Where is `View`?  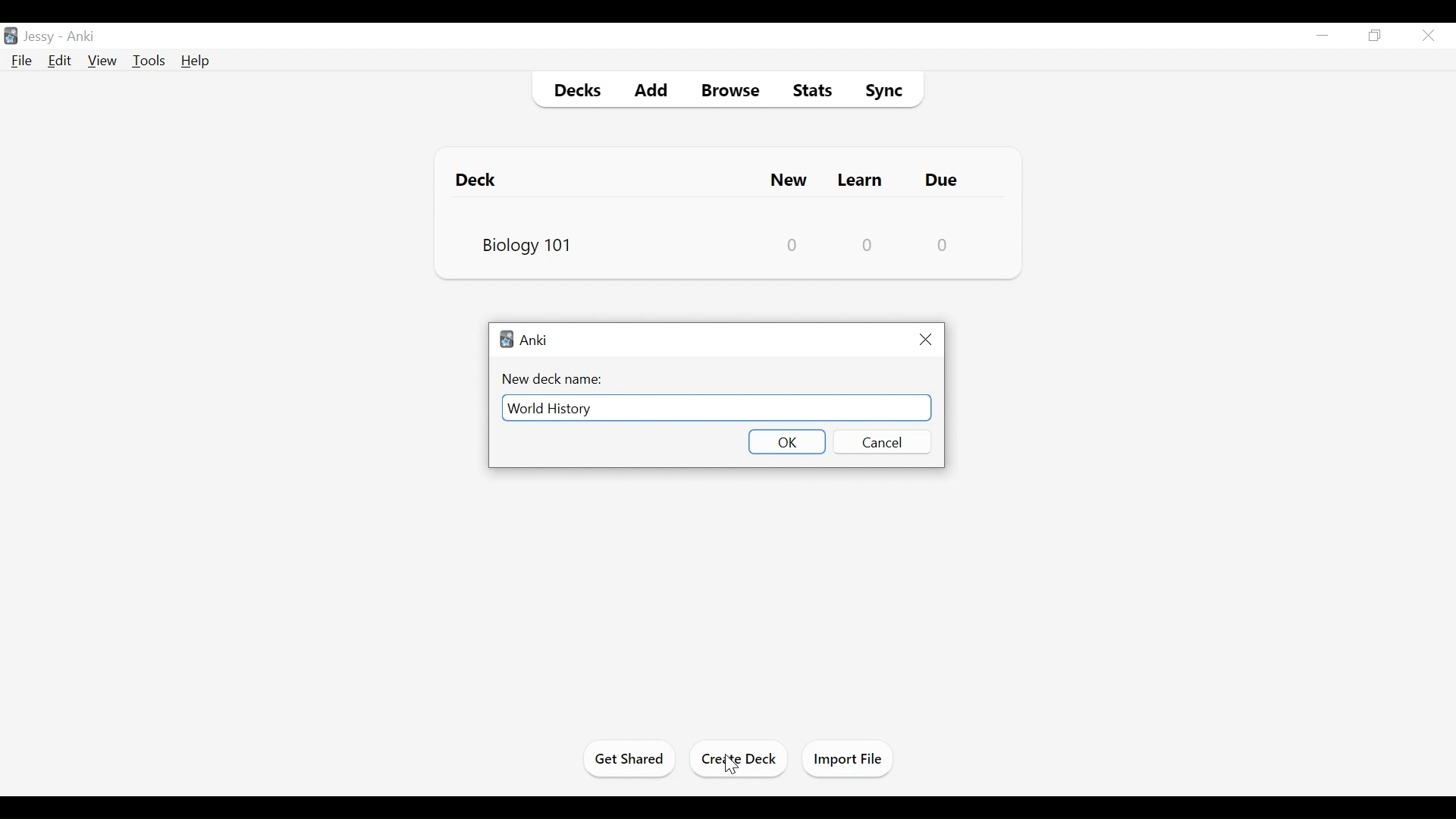 View is located at coordinates (102, 61).